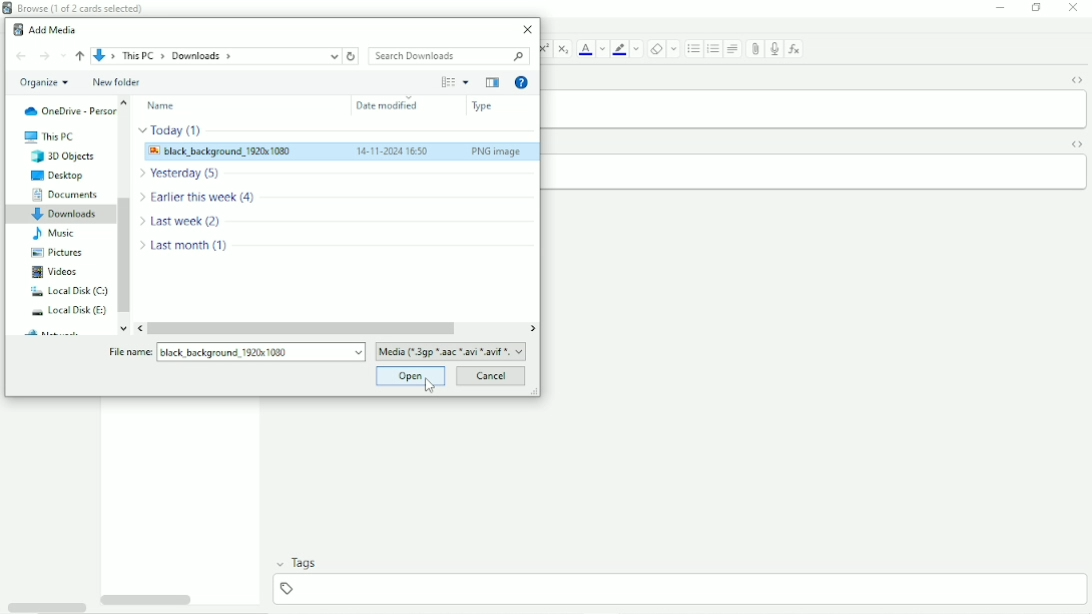 The height and width of the screenshot is (614, 1092). What do you see at coordinates (43, 30) in the screenshot?
I see `Add Media` at bounding box center [43, 30].